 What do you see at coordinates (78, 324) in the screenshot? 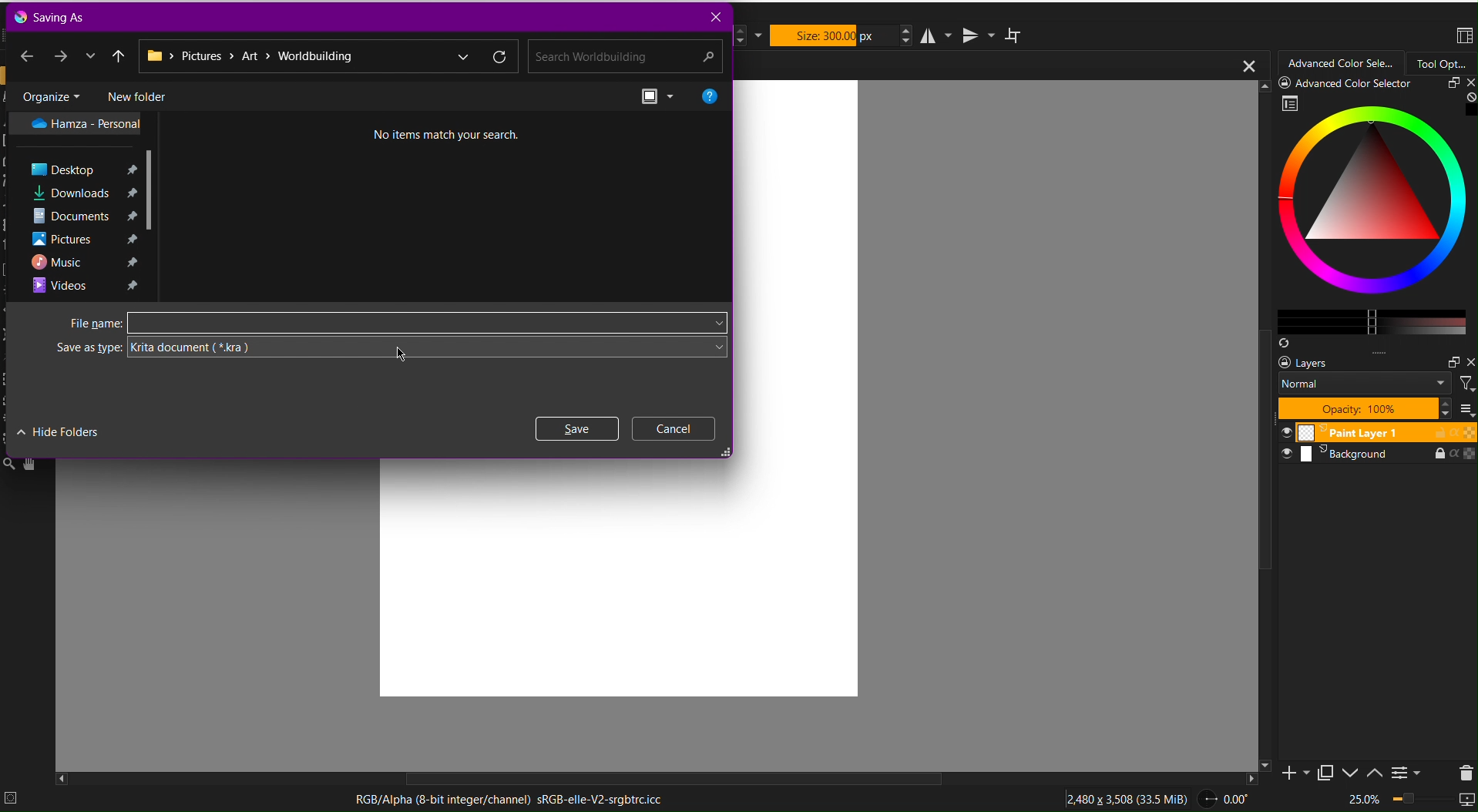
I see `File name:` at bounding box center [78, 324].